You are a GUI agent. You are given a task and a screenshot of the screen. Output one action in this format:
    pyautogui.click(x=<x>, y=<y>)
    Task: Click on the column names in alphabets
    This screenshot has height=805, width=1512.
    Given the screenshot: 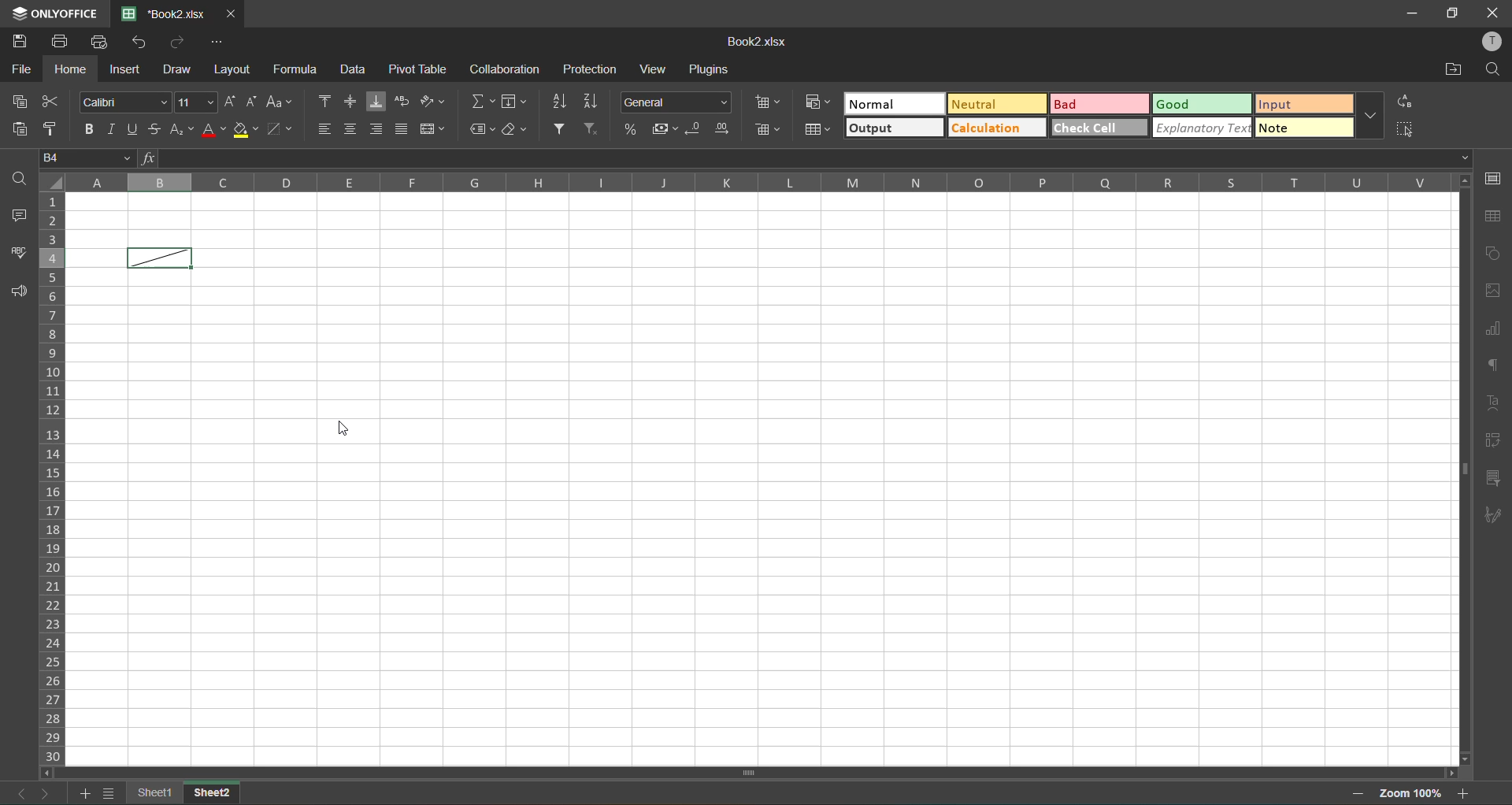 What is the action you would take?
    pyautogui.click(x=760, y=184)
    